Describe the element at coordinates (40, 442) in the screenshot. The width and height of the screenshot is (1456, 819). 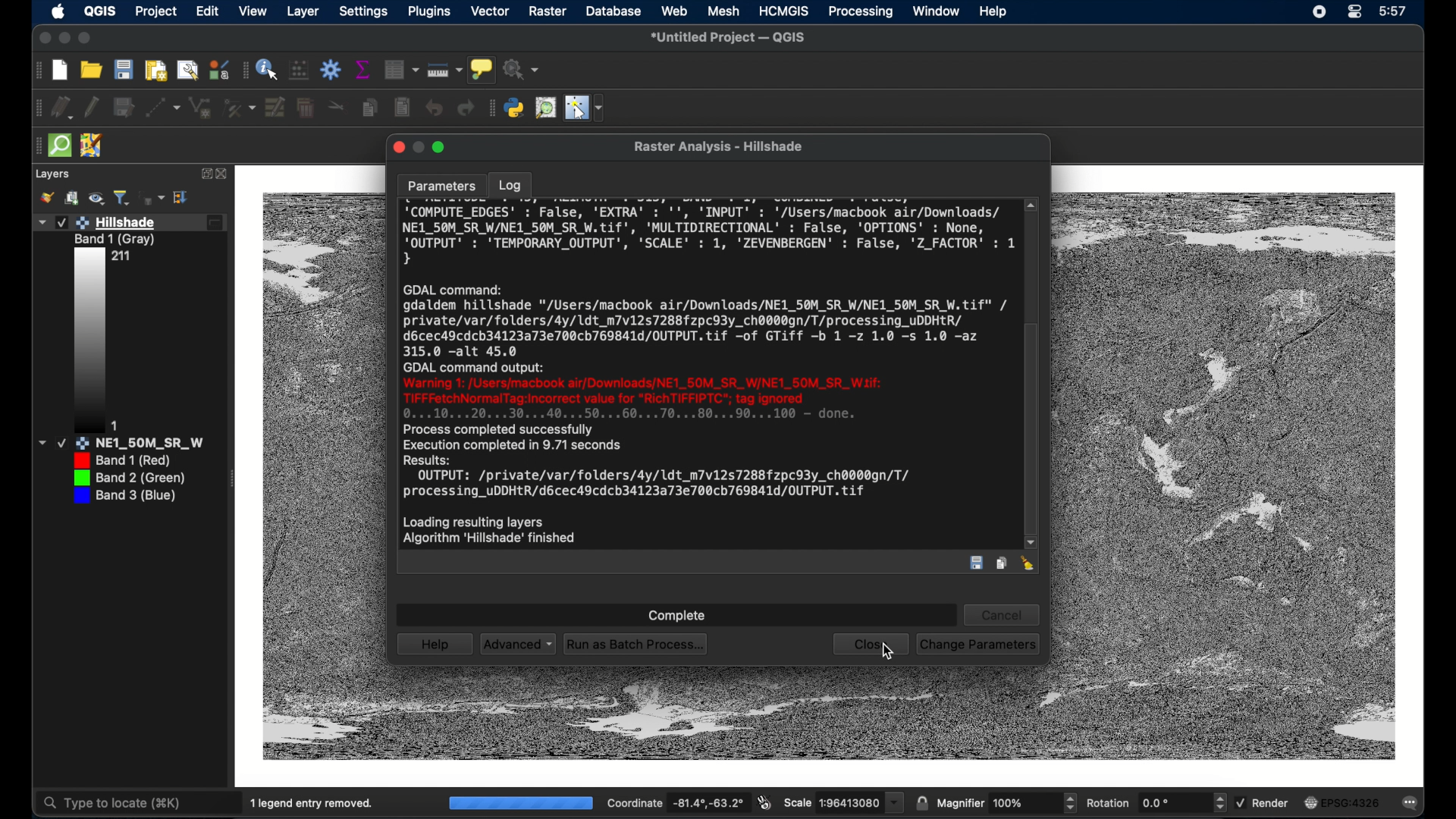
I see `Dropdown` at that location.